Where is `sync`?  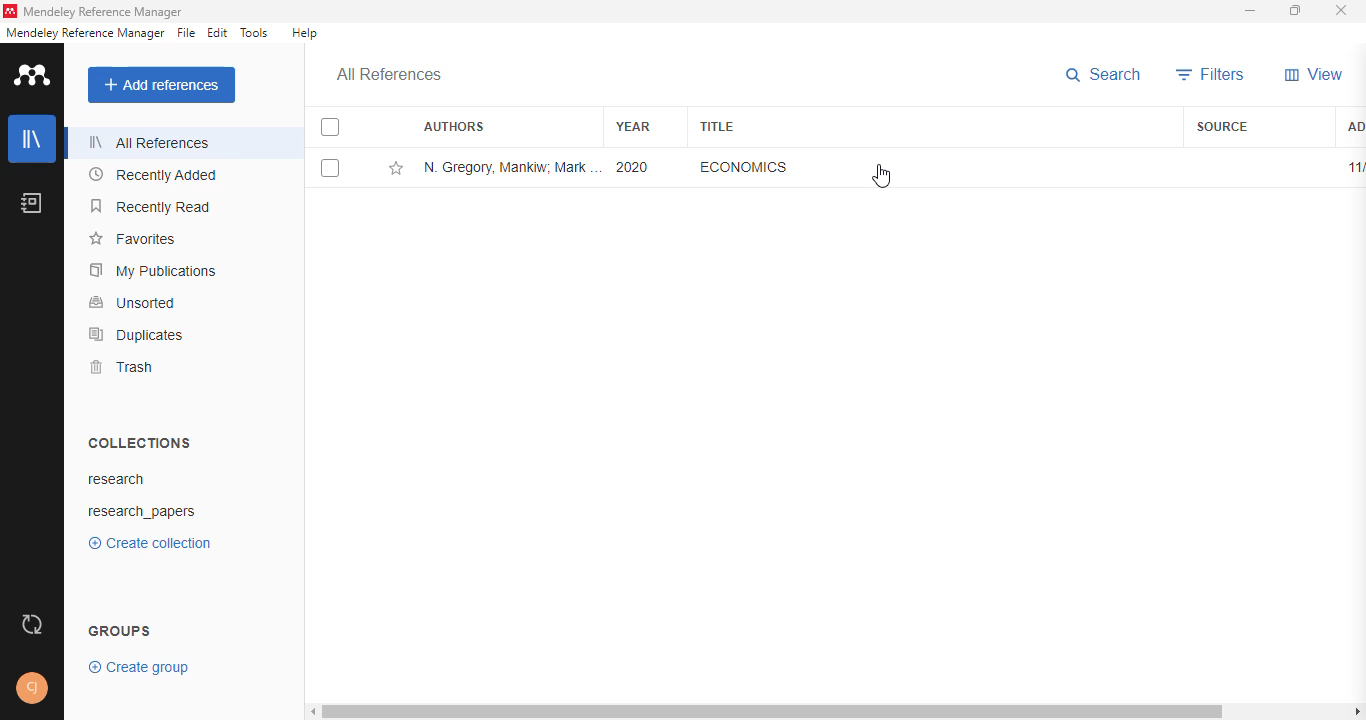
sync is located at coordinates (32, 623).